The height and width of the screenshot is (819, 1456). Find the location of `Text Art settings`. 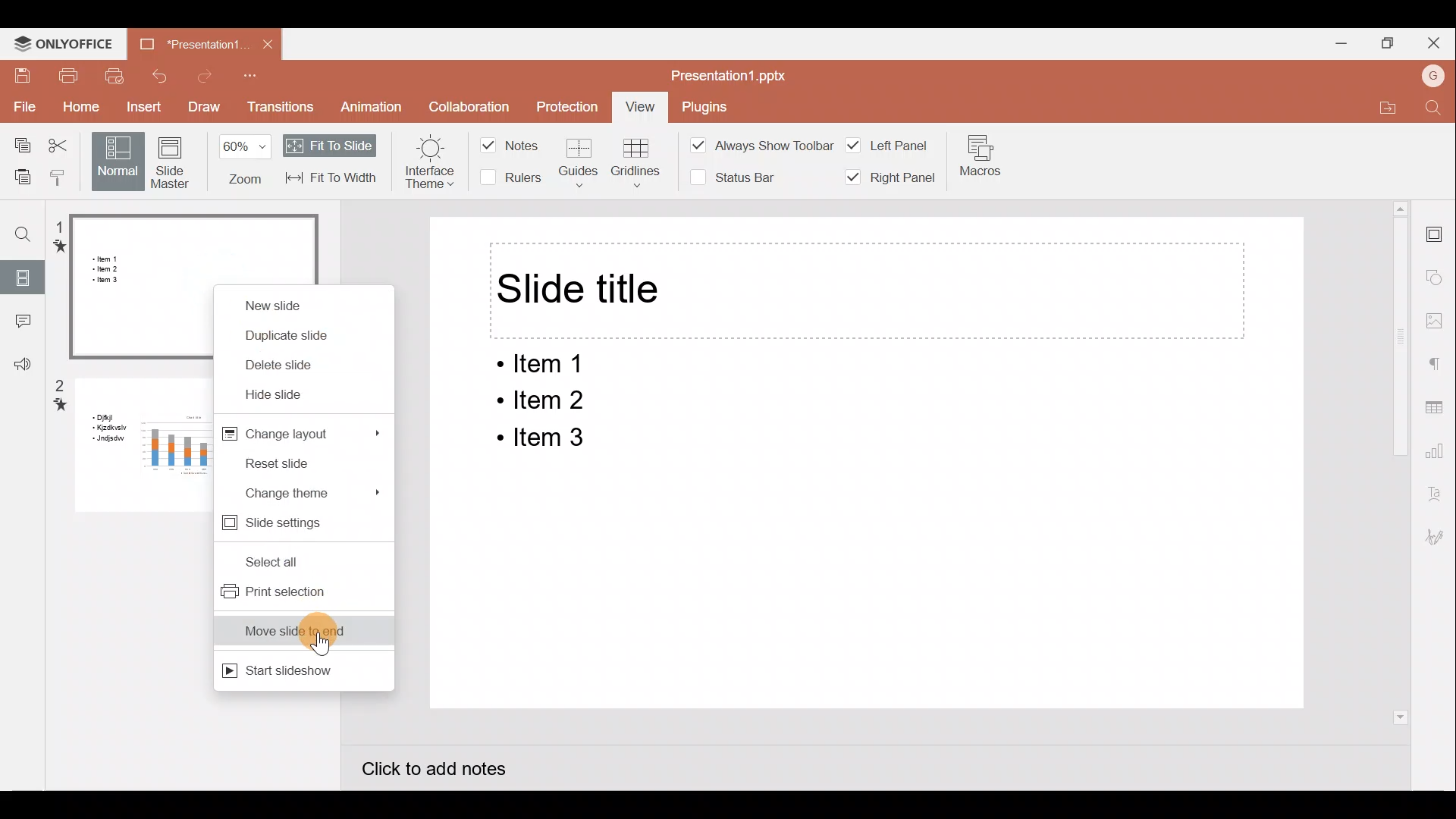

Text Art settings is located at coordinates (1441, 491).